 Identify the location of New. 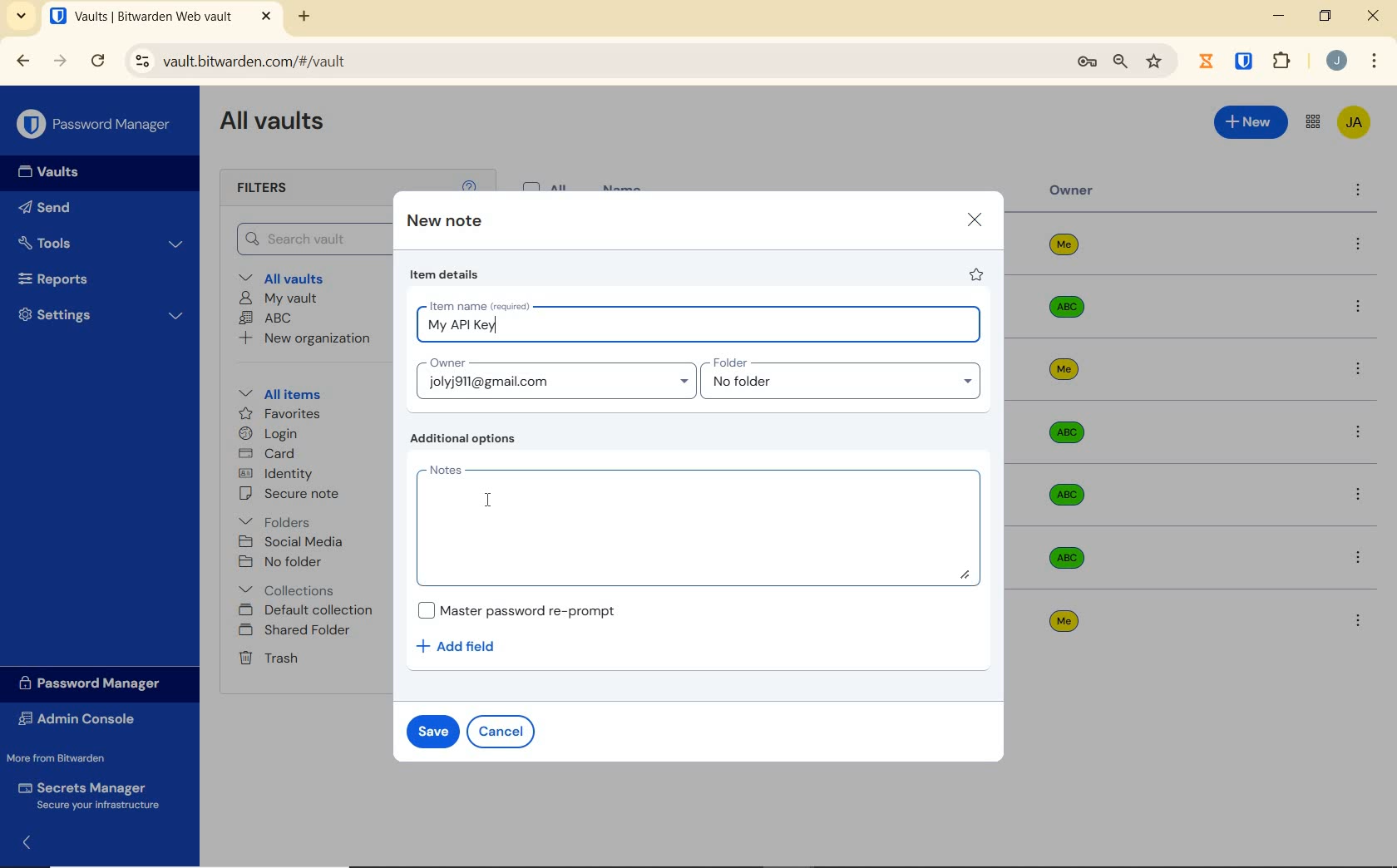
(1250, 122).